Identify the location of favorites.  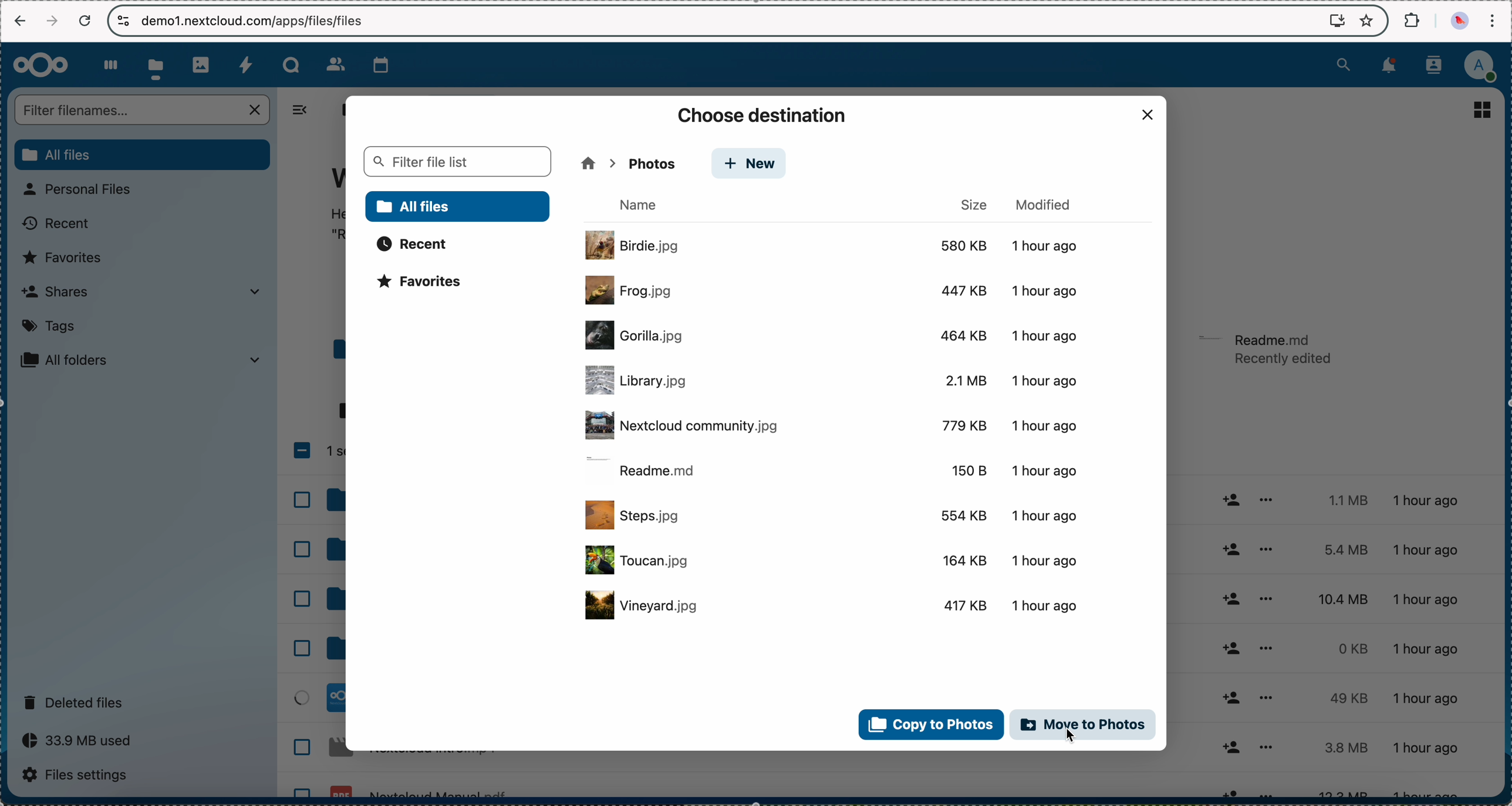
(426, 285).